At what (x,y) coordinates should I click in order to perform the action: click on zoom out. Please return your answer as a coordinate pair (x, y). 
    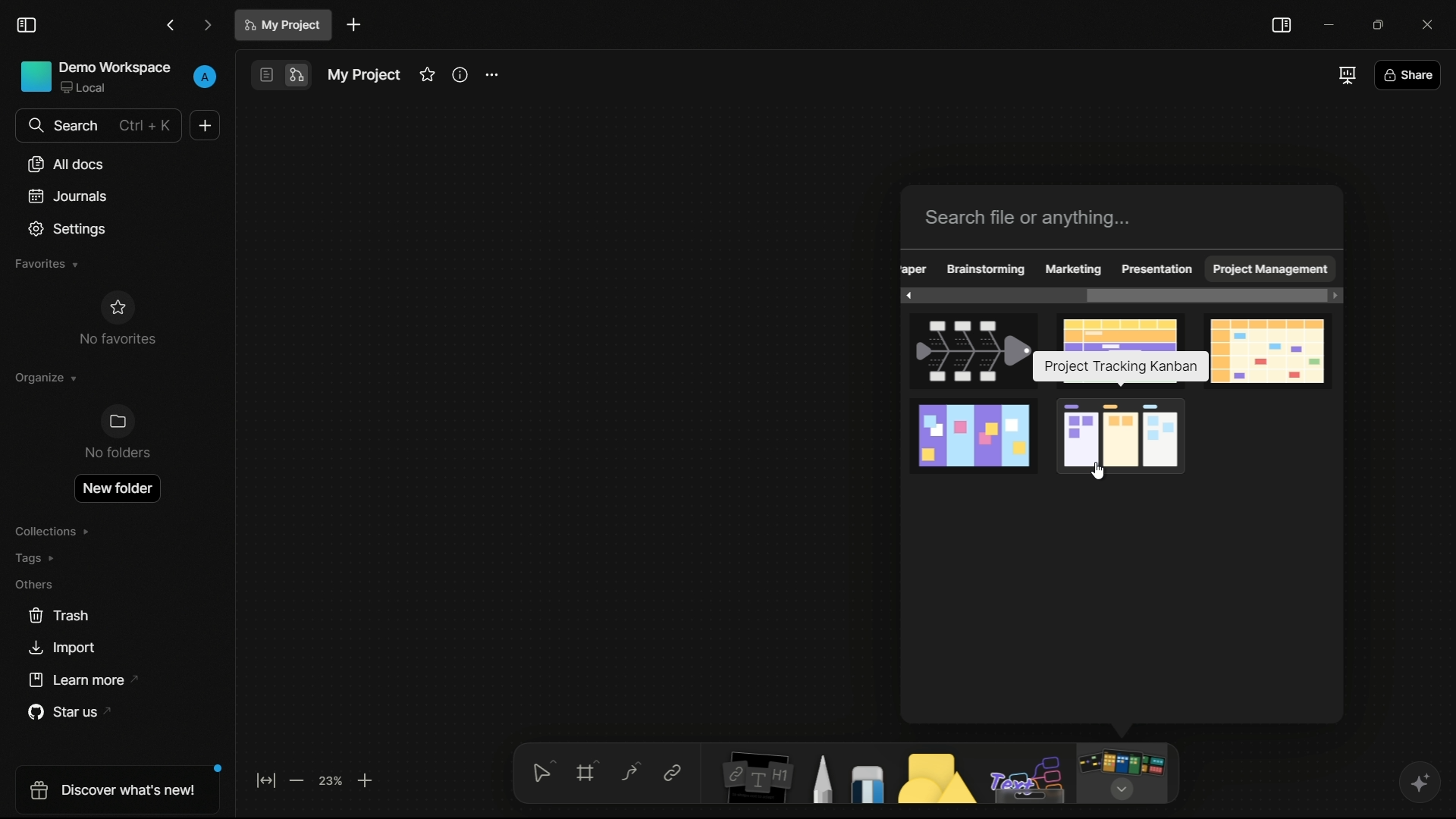
    Looking at the image, I should click on (295, 780).